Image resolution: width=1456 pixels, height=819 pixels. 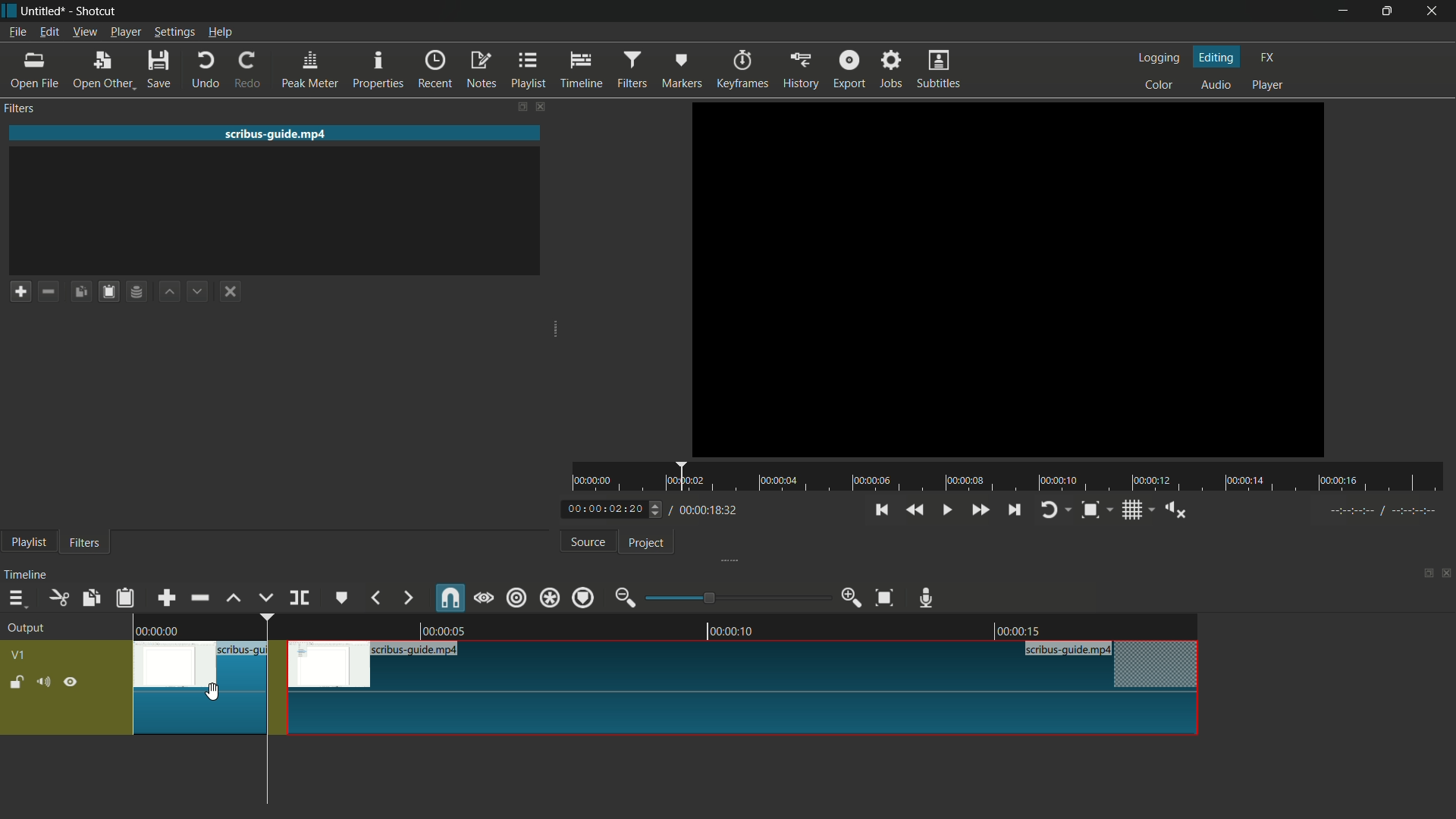 What do you see at coordinates (1216, 86) in the screenshot?
I see `audio` at bounding box center [1216, 86].